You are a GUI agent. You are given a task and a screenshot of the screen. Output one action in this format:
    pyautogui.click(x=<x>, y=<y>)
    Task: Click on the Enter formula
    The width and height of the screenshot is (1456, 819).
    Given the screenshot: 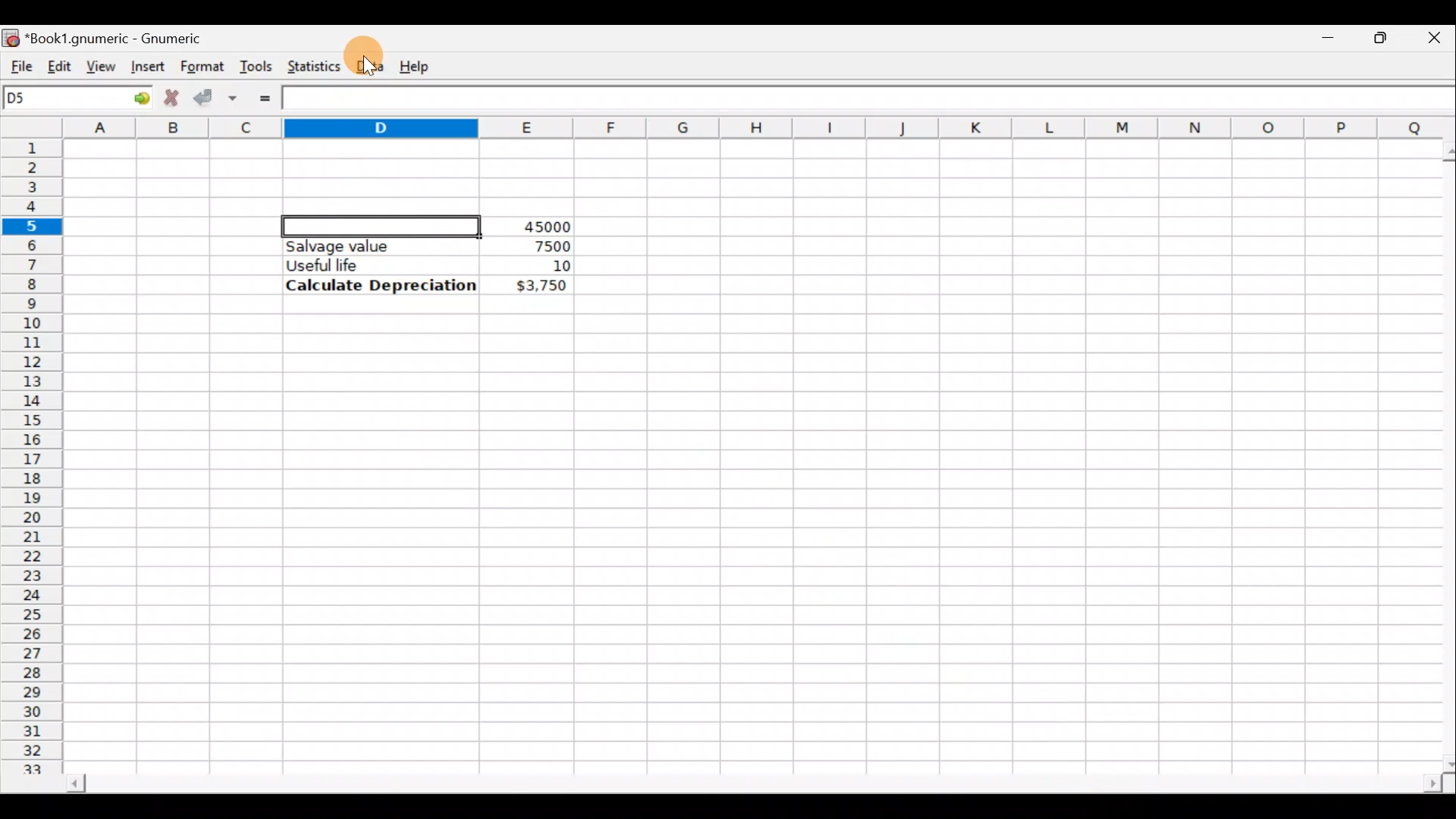 What is the action you would take?
    pyautogui.click(x=265, y=99)
    